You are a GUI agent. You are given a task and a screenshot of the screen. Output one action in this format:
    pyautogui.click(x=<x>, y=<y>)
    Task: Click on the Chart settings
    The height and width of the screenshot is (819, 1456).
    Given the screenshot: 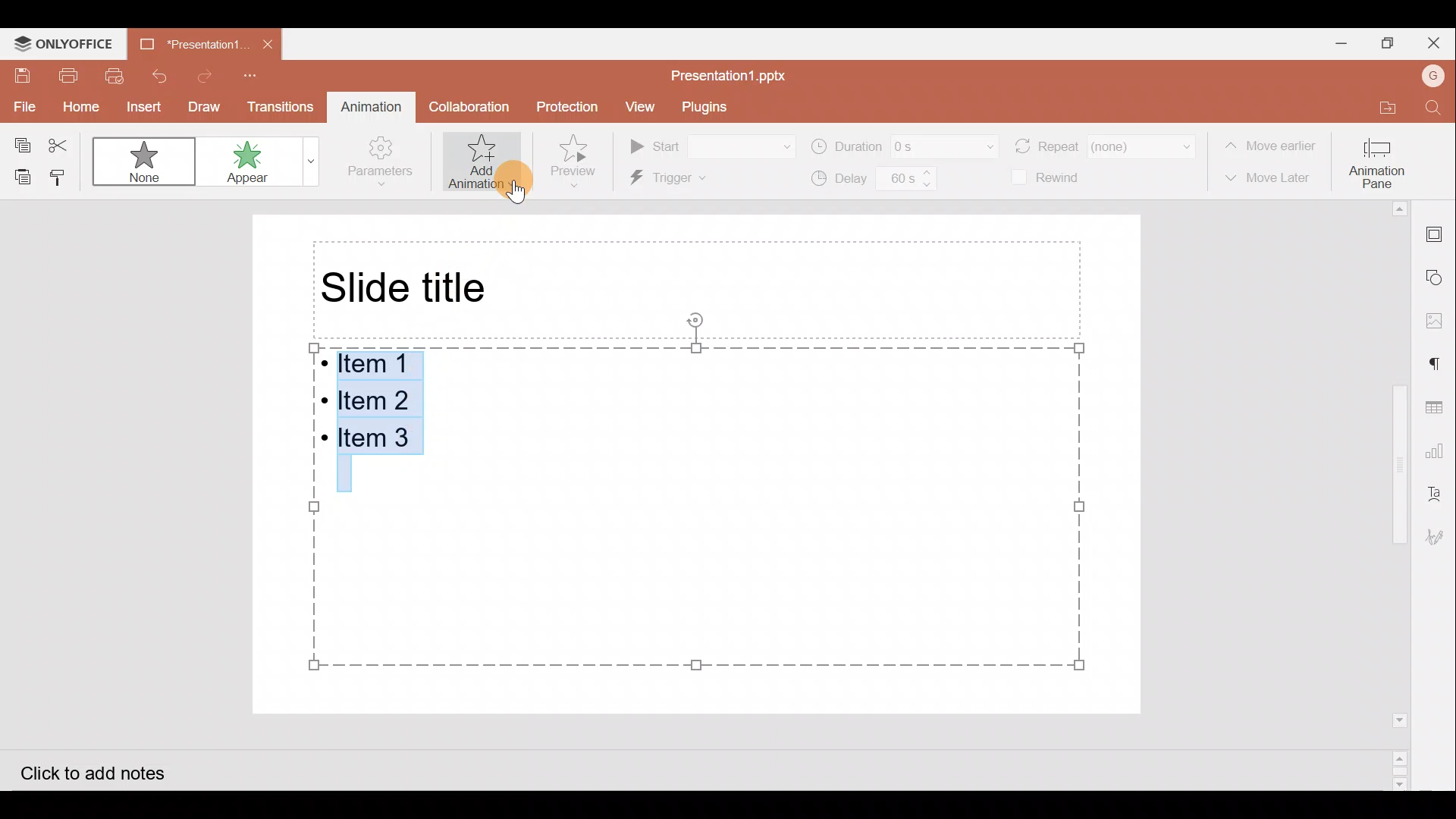 What is the action you would take?
    pyautogui.click(x=1442, y=447)
    